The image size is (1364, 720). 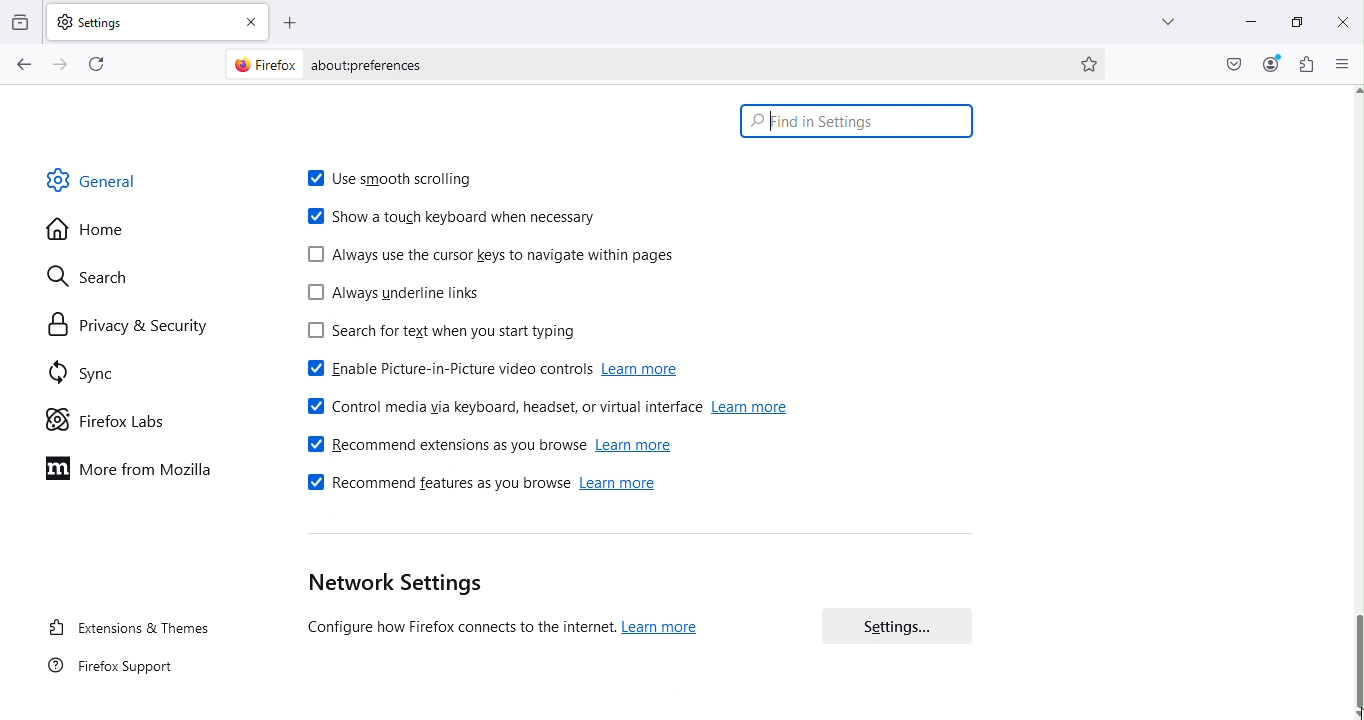 I want to click on SYnc, so click(x=89, y=376).